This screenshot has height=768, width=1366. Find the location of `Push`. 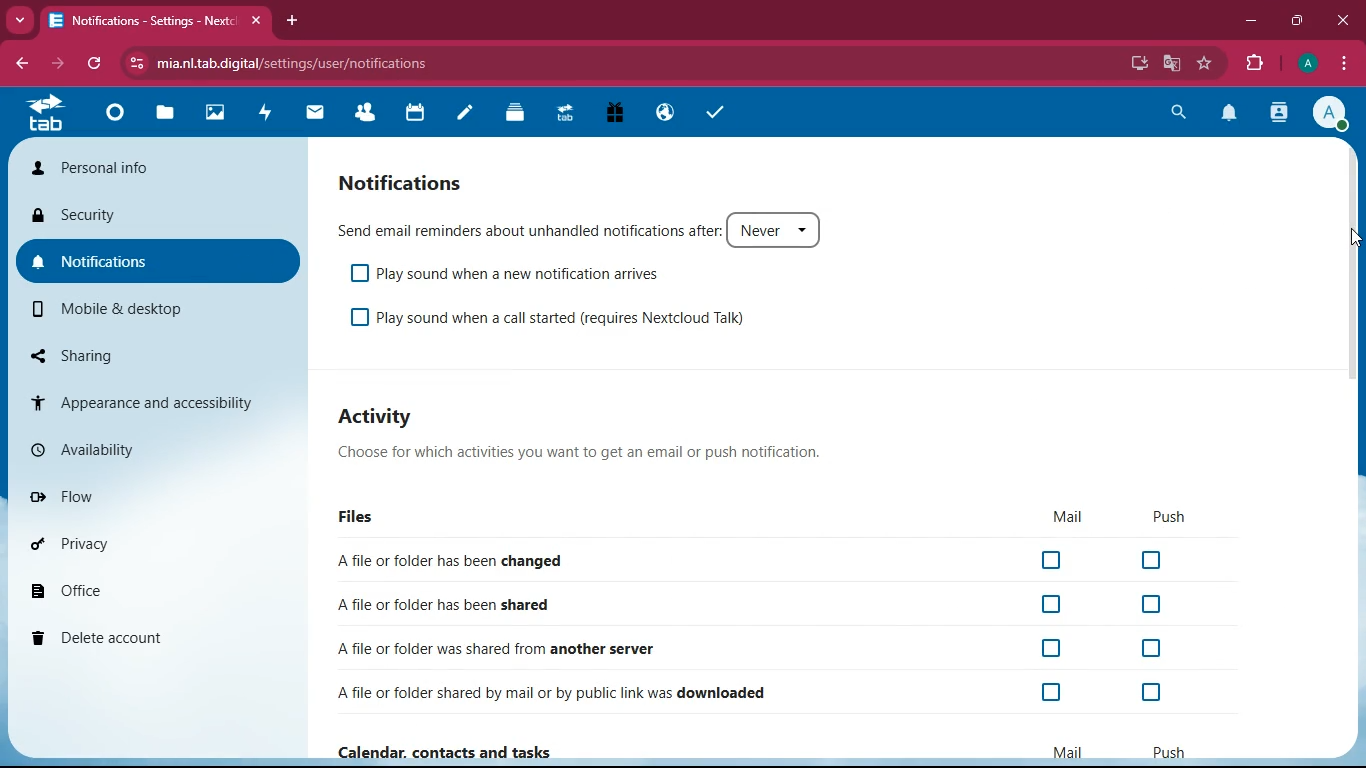

Push is located at coordinates (1167, 751).